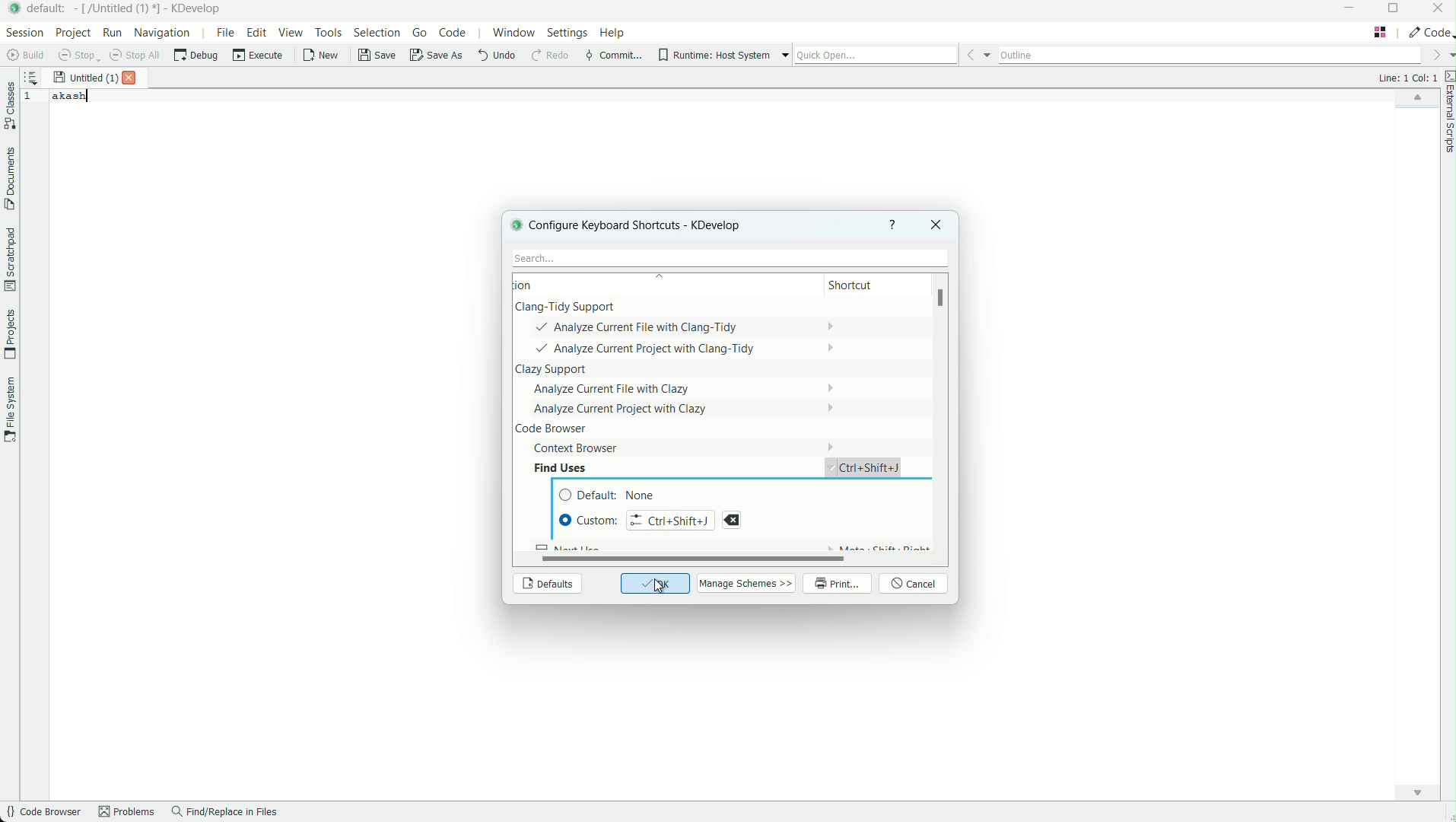  What do you see at coordinates (72, 33) in the screenshot?
I see `project menu` at bounding box center [72, 33].